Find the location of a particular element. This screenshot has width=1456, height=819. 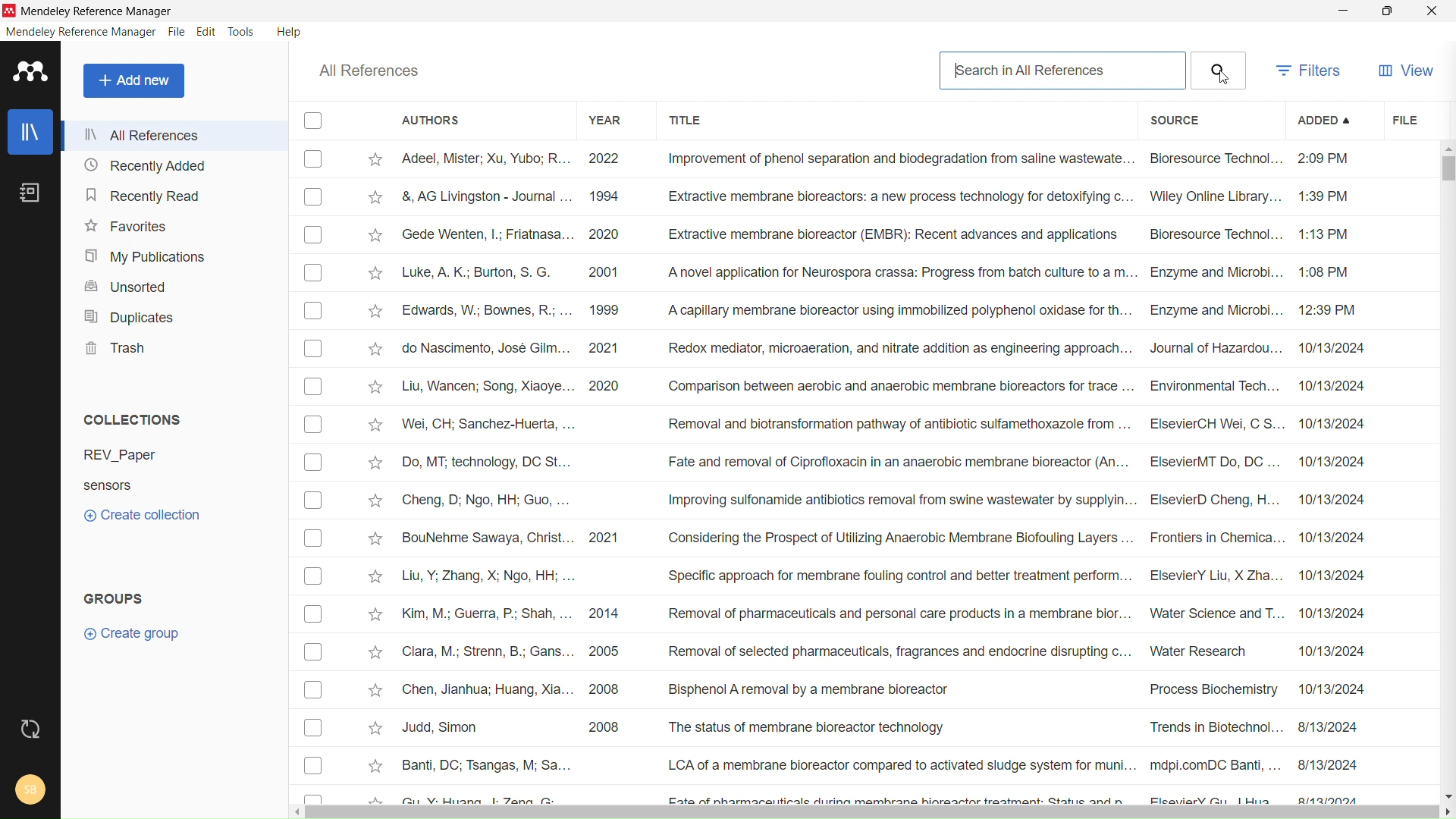

maximize is located at coordinates (1386, 11).